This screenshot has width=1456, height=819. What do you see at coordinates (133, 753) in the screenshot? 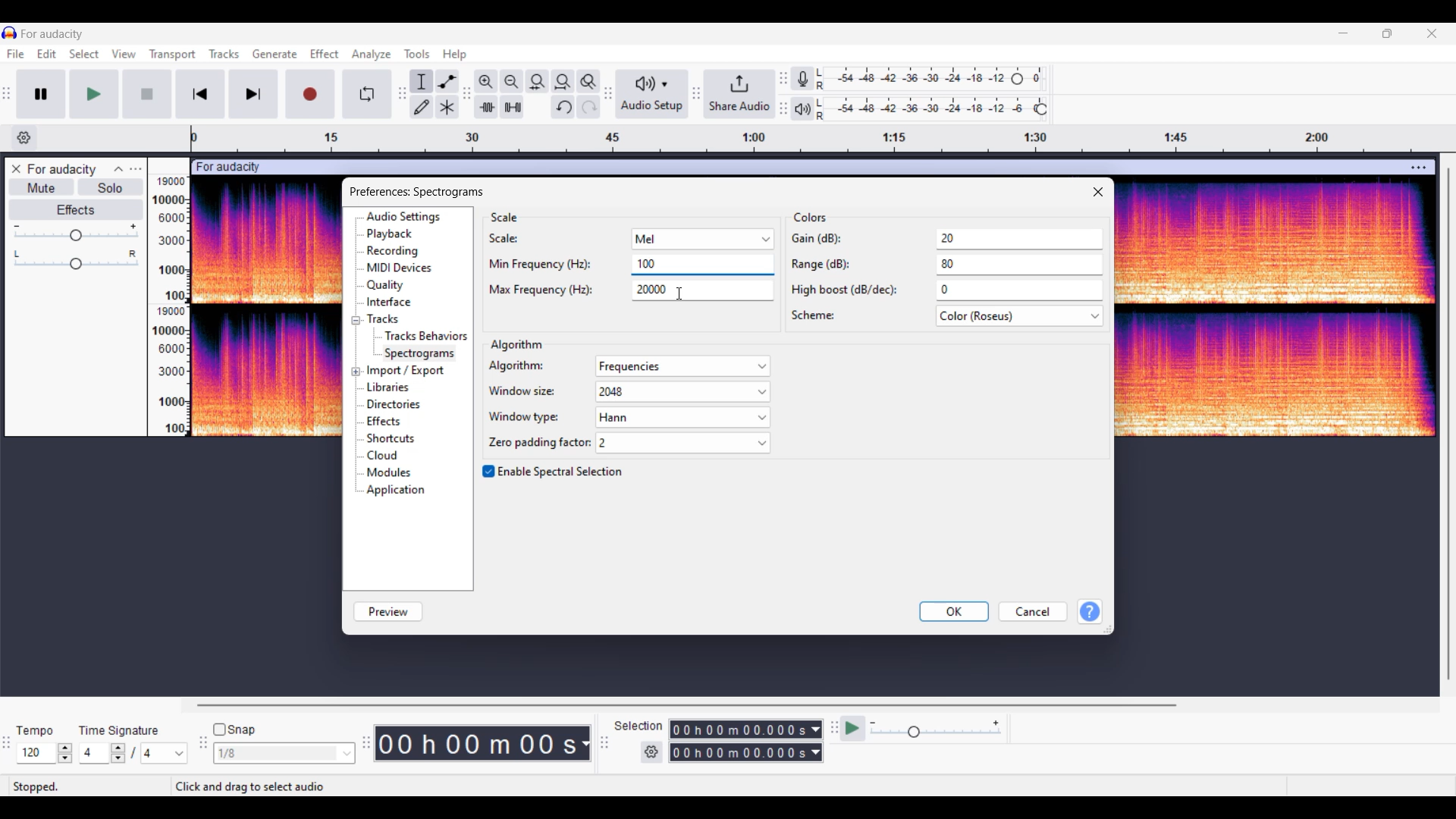
I see `Time signature settings` at bounding box center [133, 753].